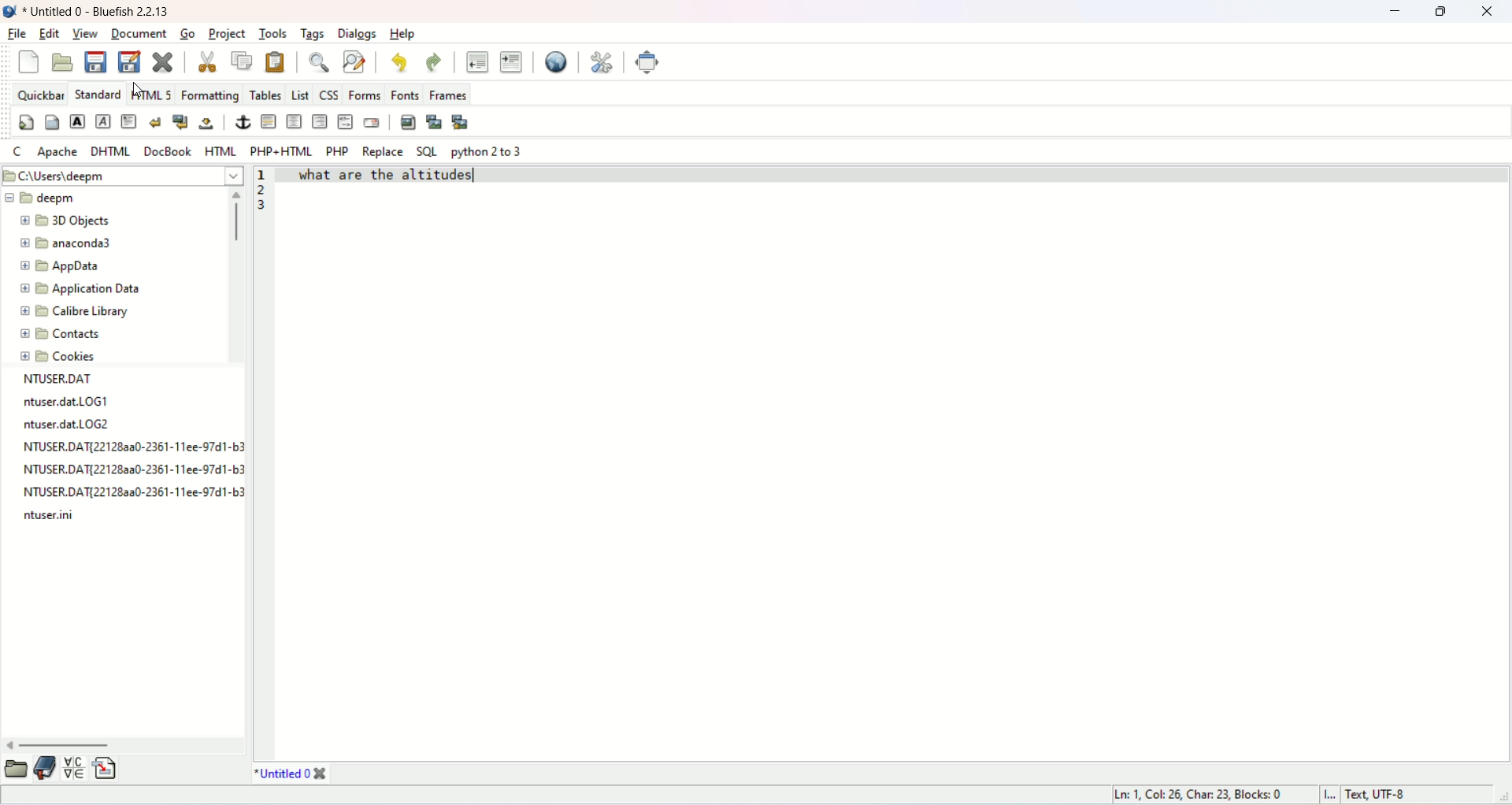 This screenshot has height=805, width=1512. Describe the element at coordinates (354, 64) in the screenshot. I see `advance find and replace` at that location.